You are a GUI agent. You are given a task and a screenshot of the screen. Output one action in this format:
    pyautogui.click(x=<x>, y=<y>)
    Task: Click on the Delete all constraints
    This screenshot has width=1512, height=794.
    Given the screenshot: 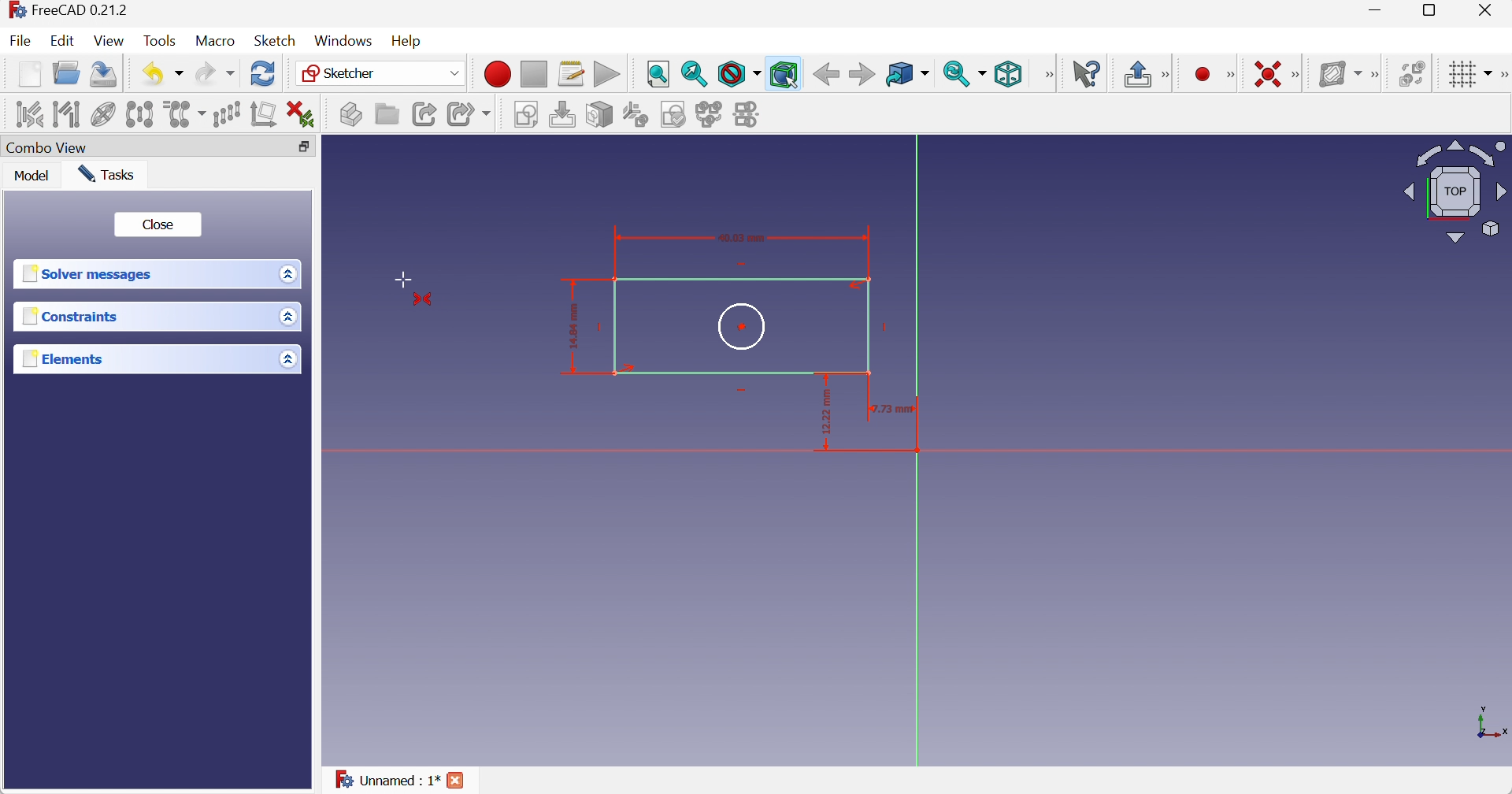 What is the action you would take?
    pyautogui.click(x=302, y=114)
    